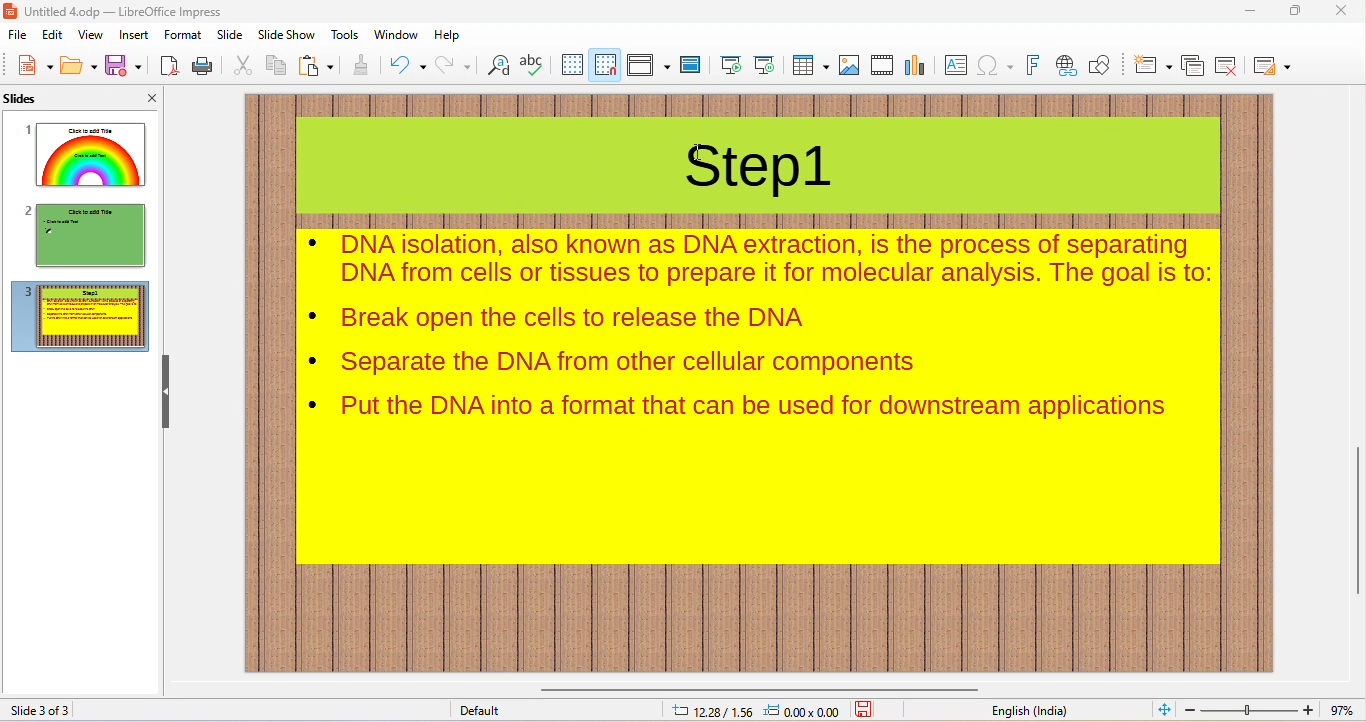 The width and height of the screenshot is (1366, 722). I want to click on file, so click(19, 35).